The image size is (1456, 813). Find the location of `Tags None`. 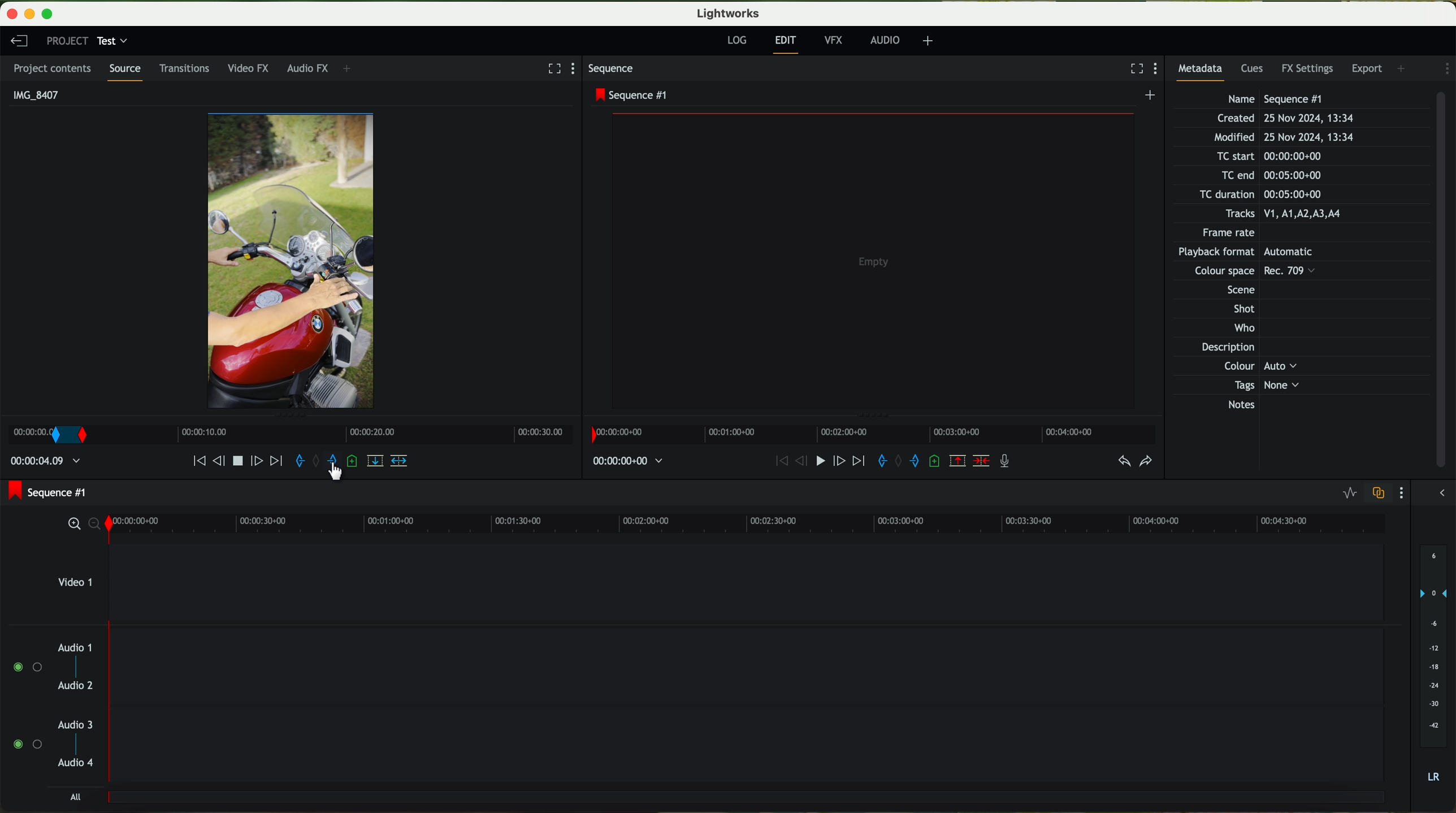

Tags None is located at coordinates (1263, 385).